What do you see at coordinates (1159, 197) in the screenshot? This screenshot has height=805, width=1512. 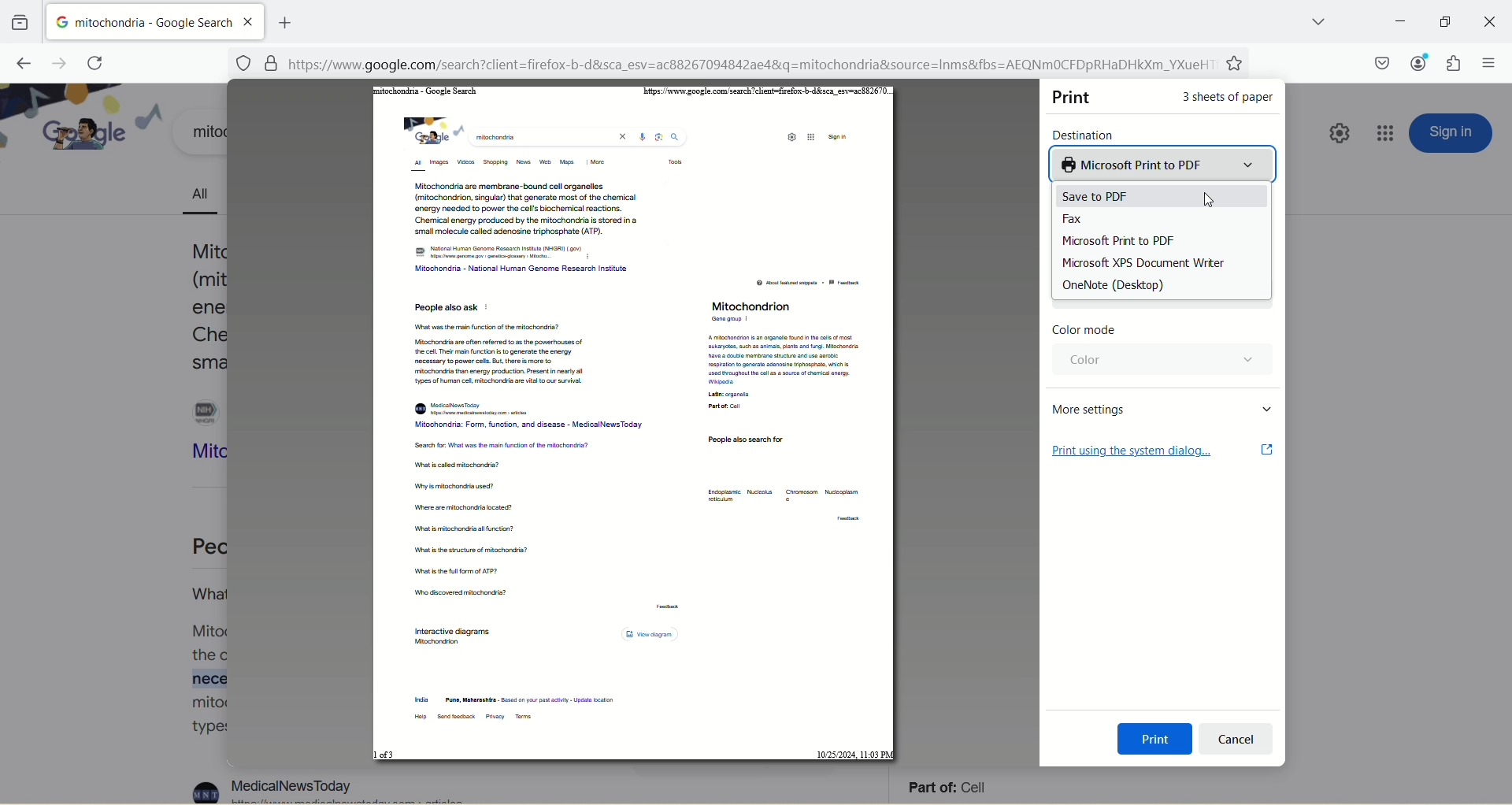 I see `save to PDF` at bounding box center [1159, 197].